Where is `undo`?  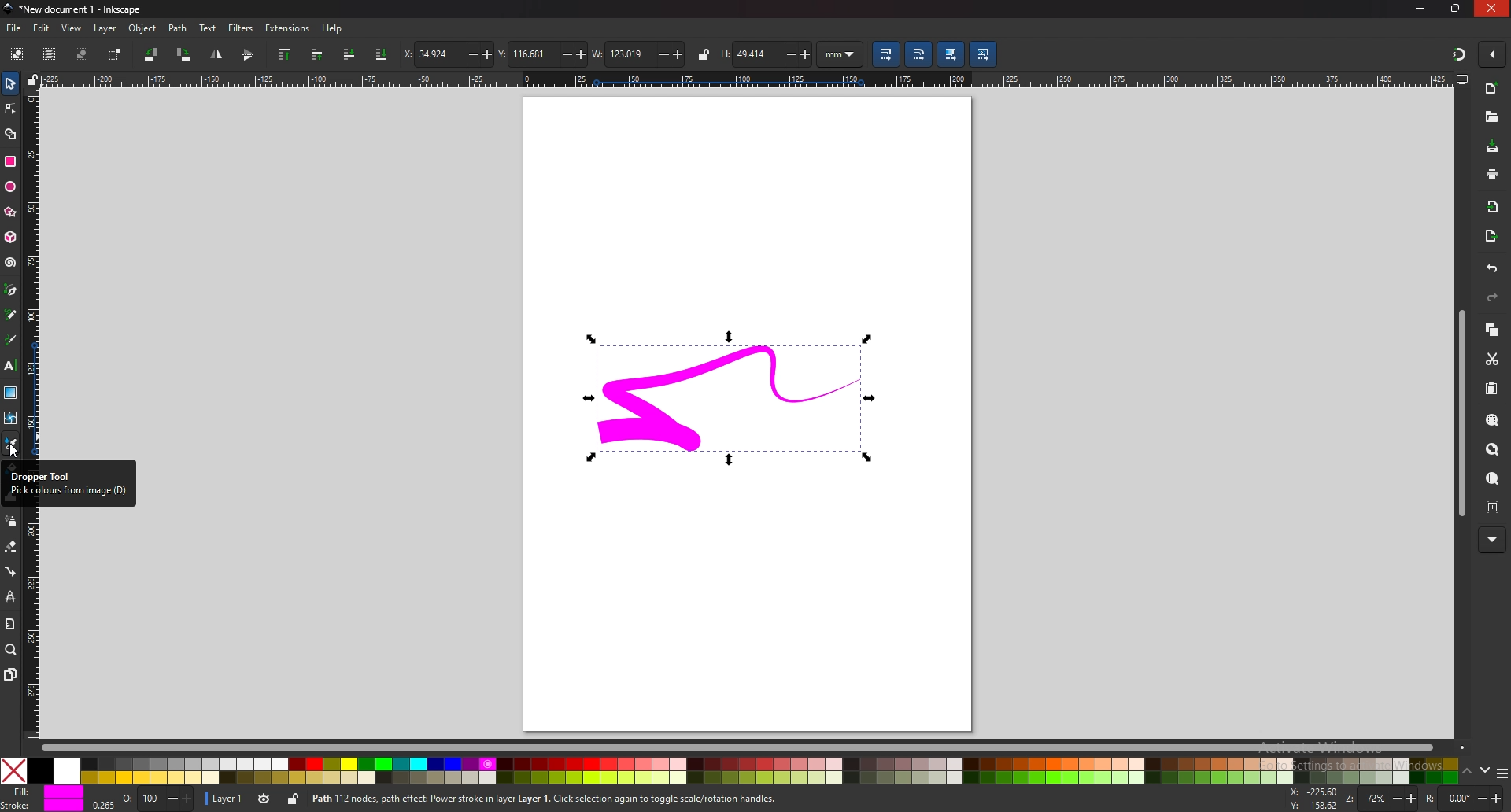 undo is located at coordinates (1492, 269).